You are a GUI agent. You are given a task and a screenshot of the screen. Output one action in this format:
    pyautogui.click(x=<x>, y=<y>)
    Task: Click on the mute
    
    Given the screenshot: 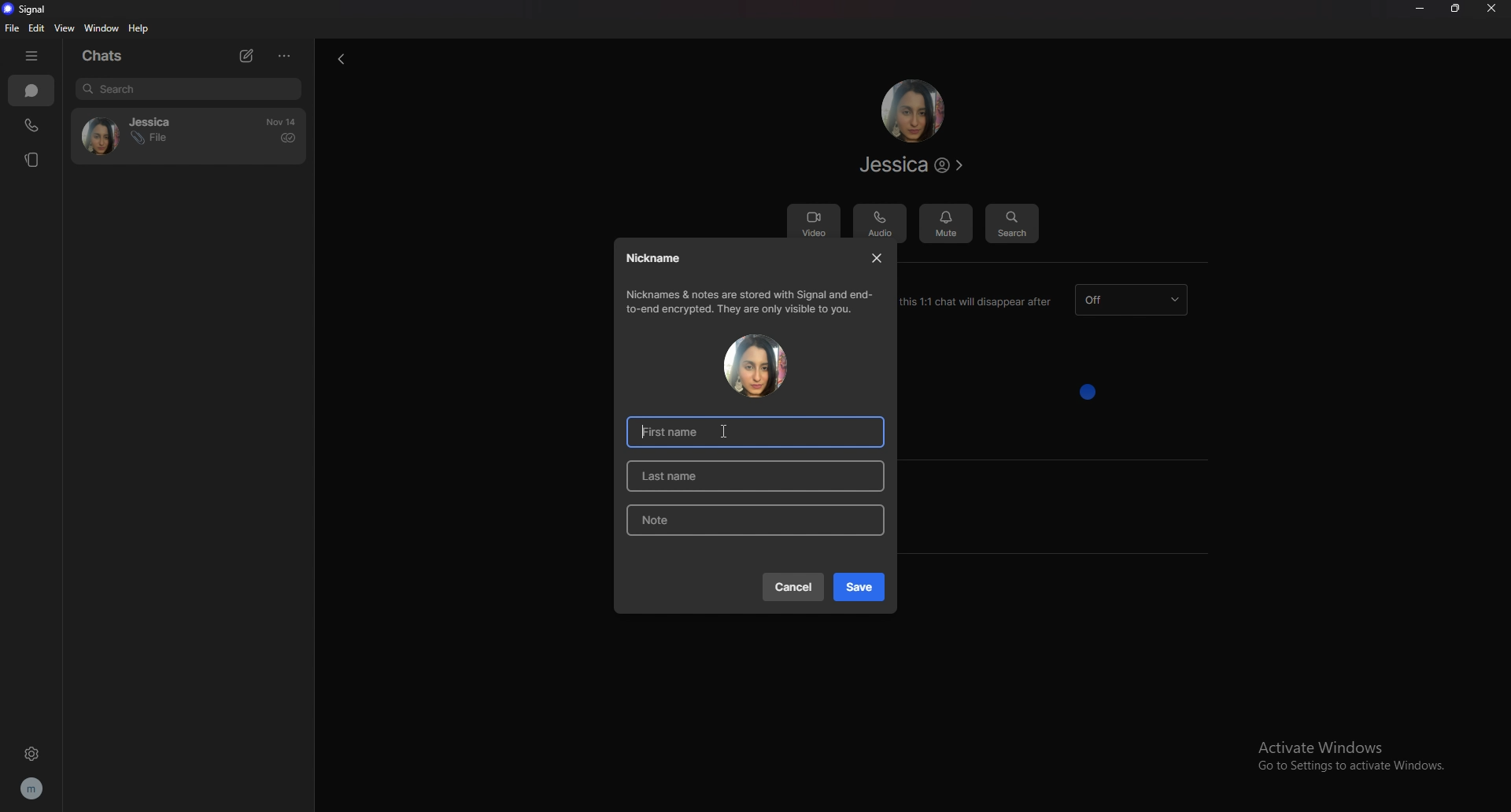 What is the action you would take?
    pyautogui.click(x=946, y=223)
    